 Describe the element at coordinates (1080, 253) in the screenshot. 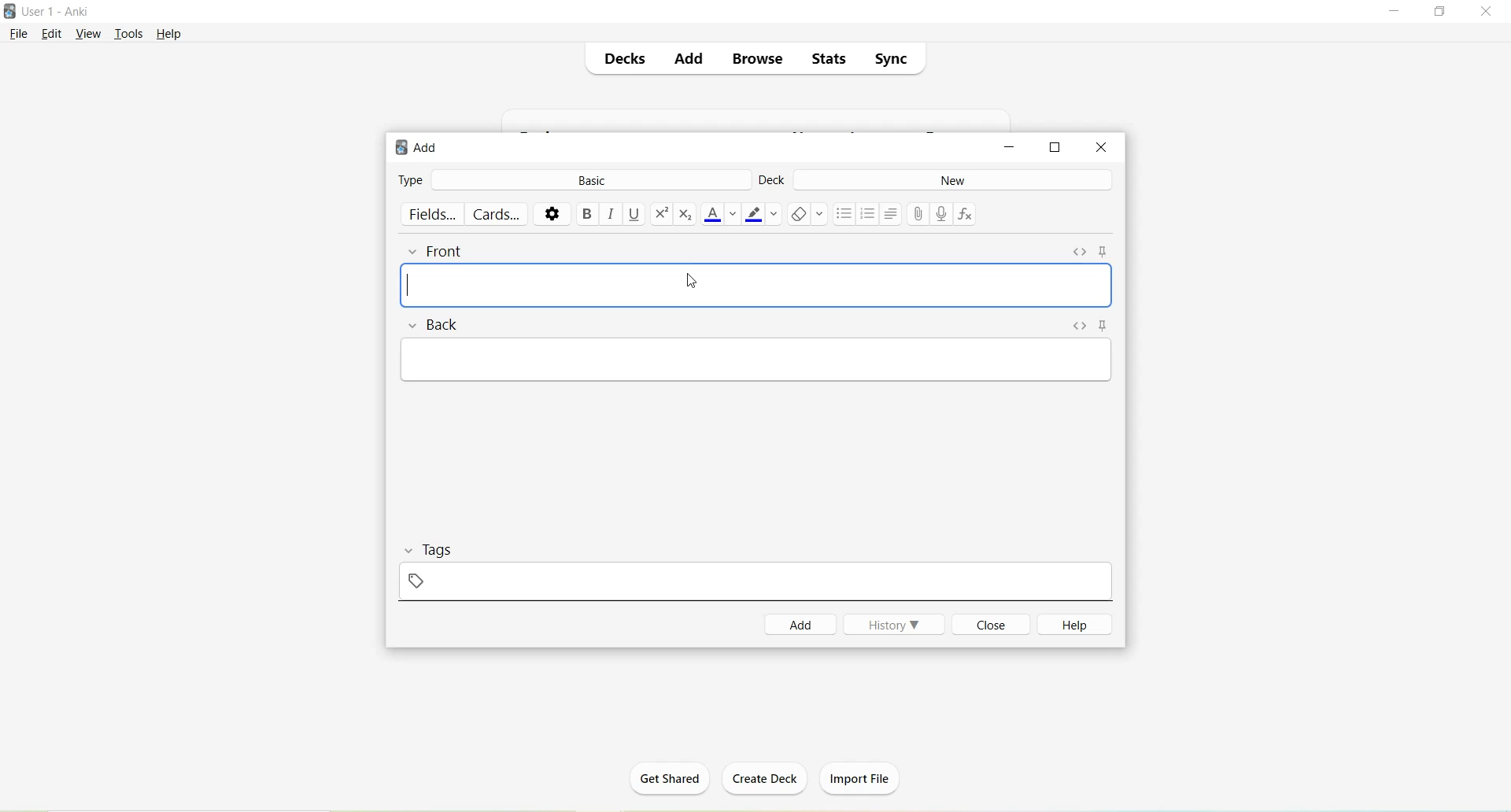

I see `Toggle HTML Editor` at that location.